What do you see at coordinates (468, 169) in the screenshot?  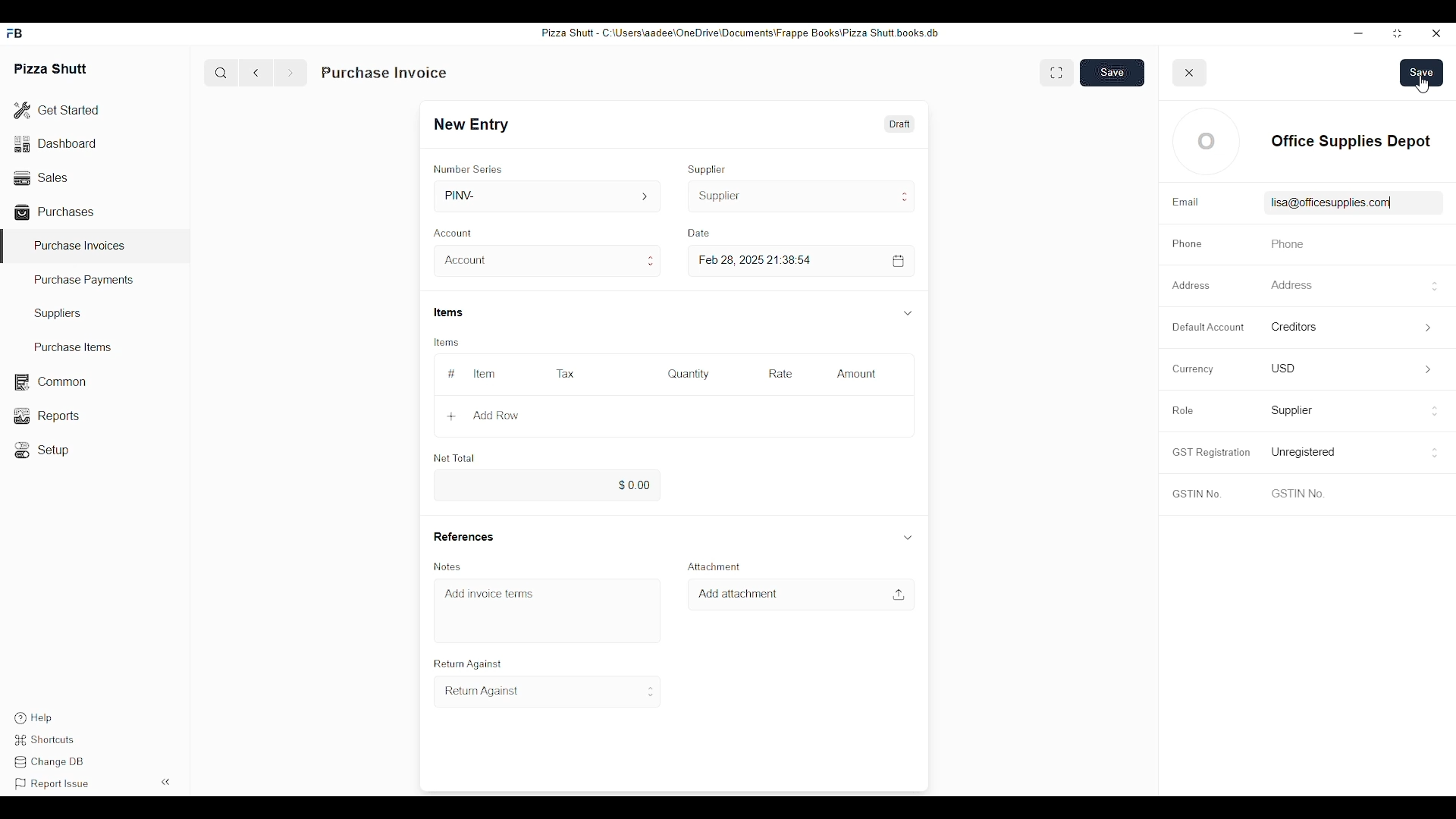 I see `Number Series` at bounding box center [468, 169].